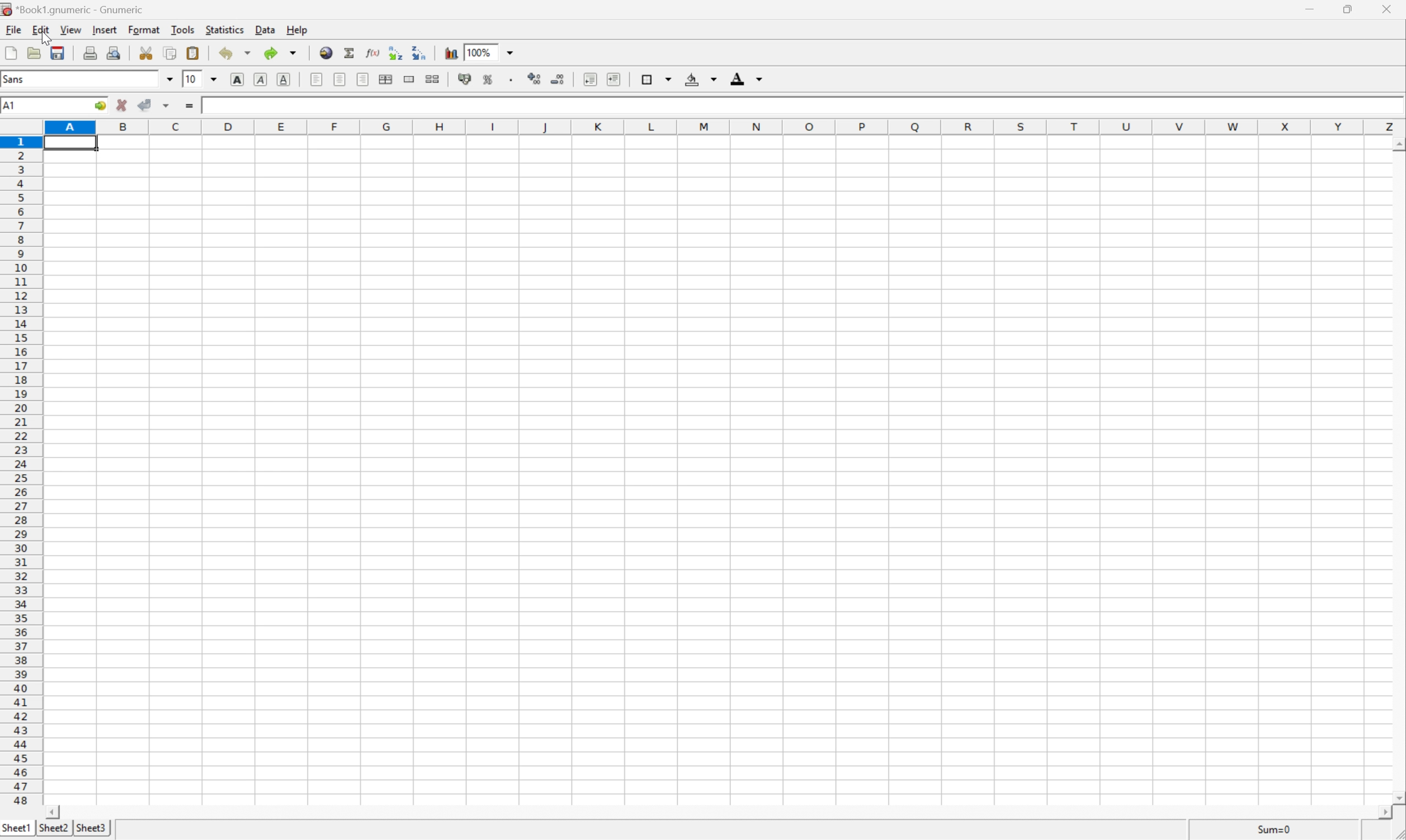  What do you see at coordinates (69, 29) in the screenshot?
I see `view` at bounding box center [69, 29].